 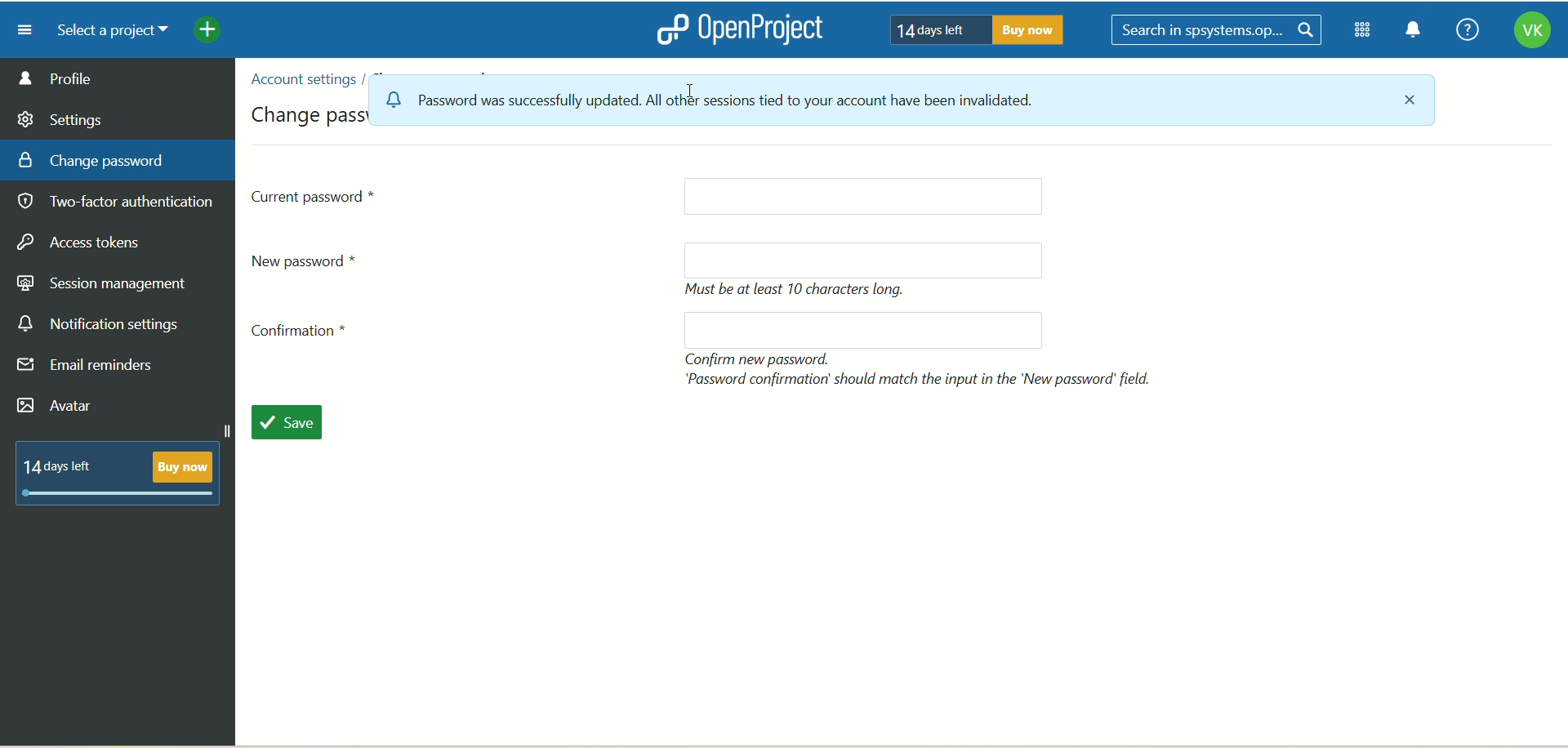 I want to click on add menu, so click(x=209, y=32).